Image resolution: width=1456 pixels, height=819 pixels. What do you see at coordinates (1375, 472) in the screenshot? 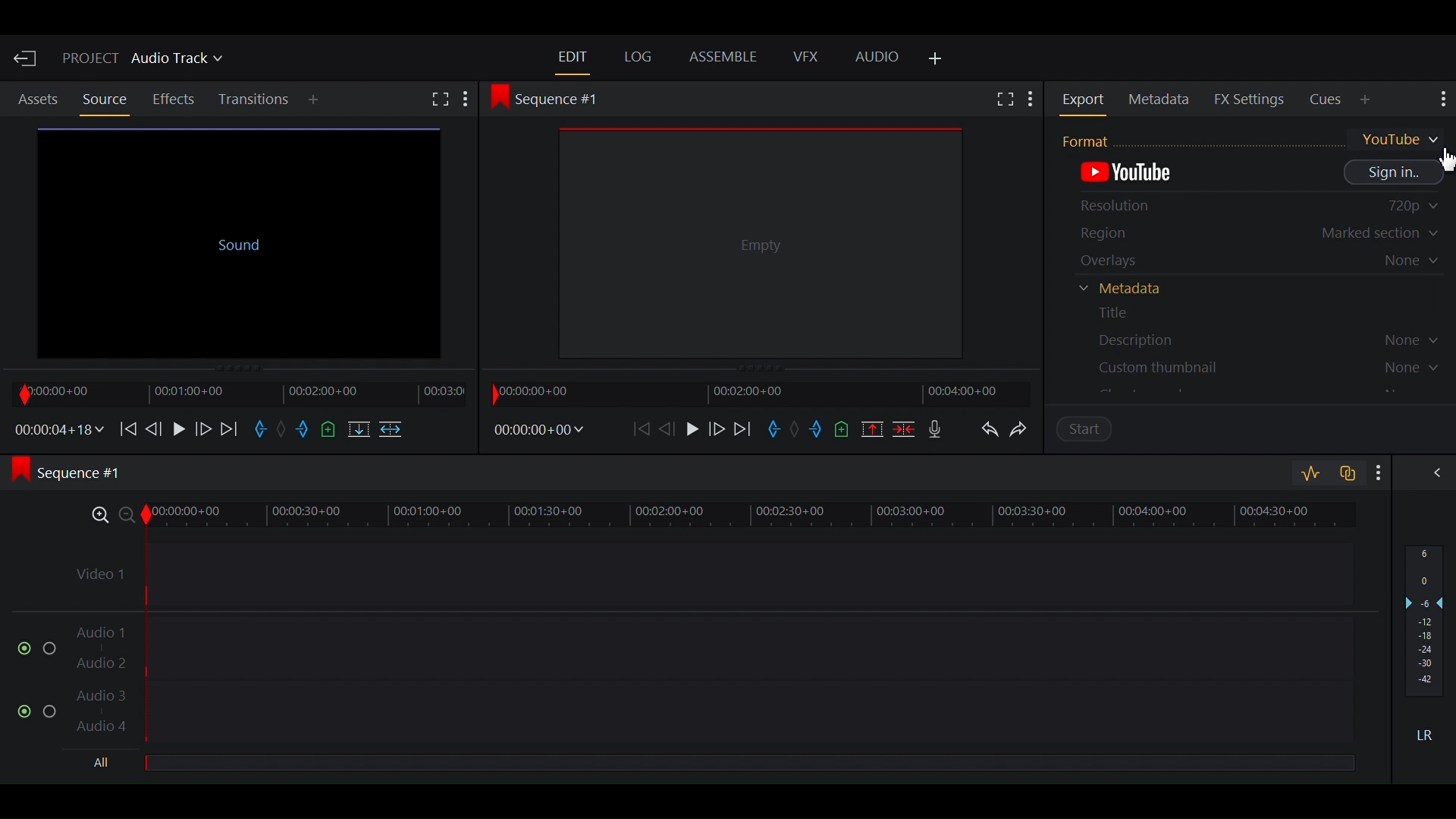
I see `Show settings menu` at bounding box center [1375, 472].